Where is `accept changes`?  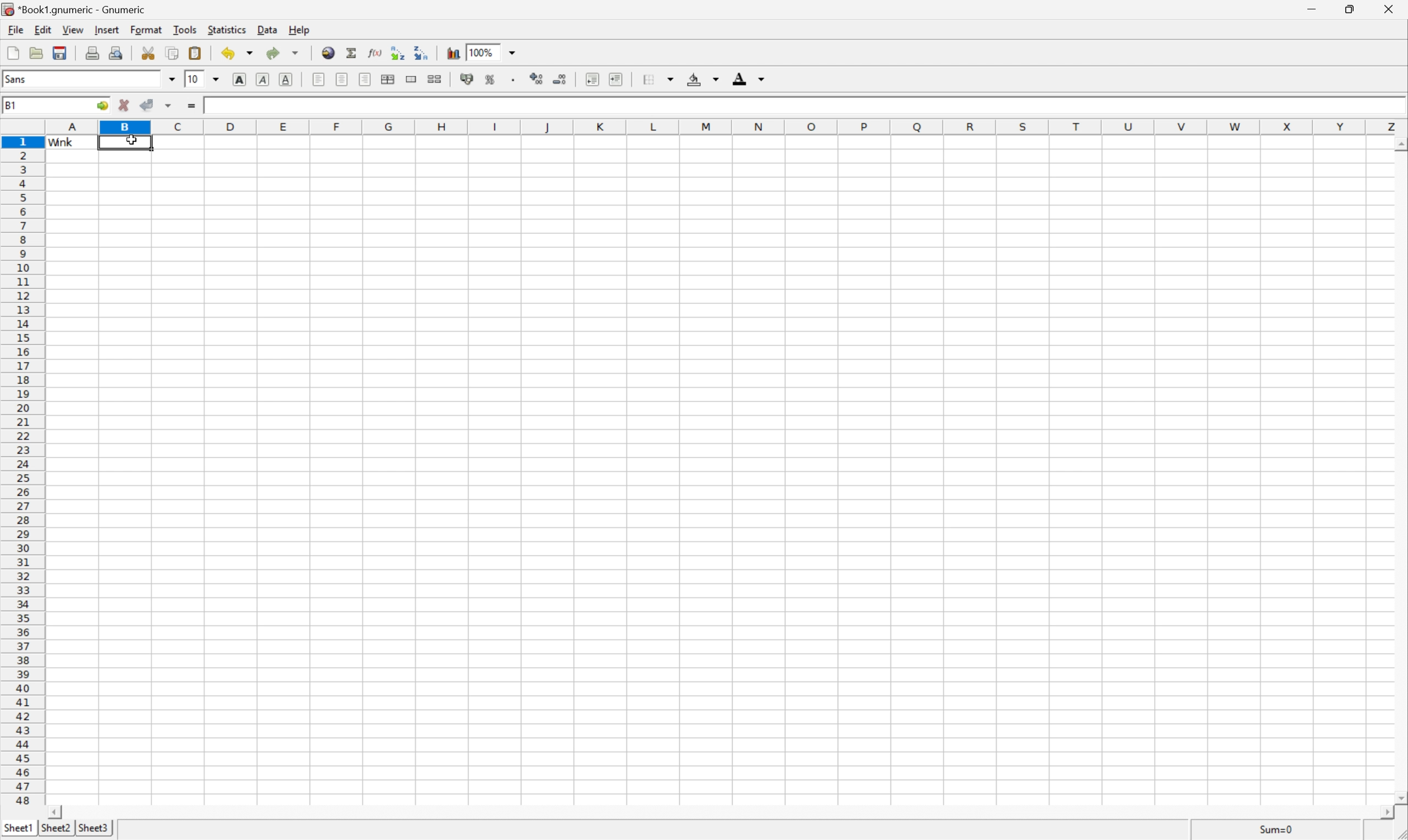
accept changes is located at coordinates (146, 104).